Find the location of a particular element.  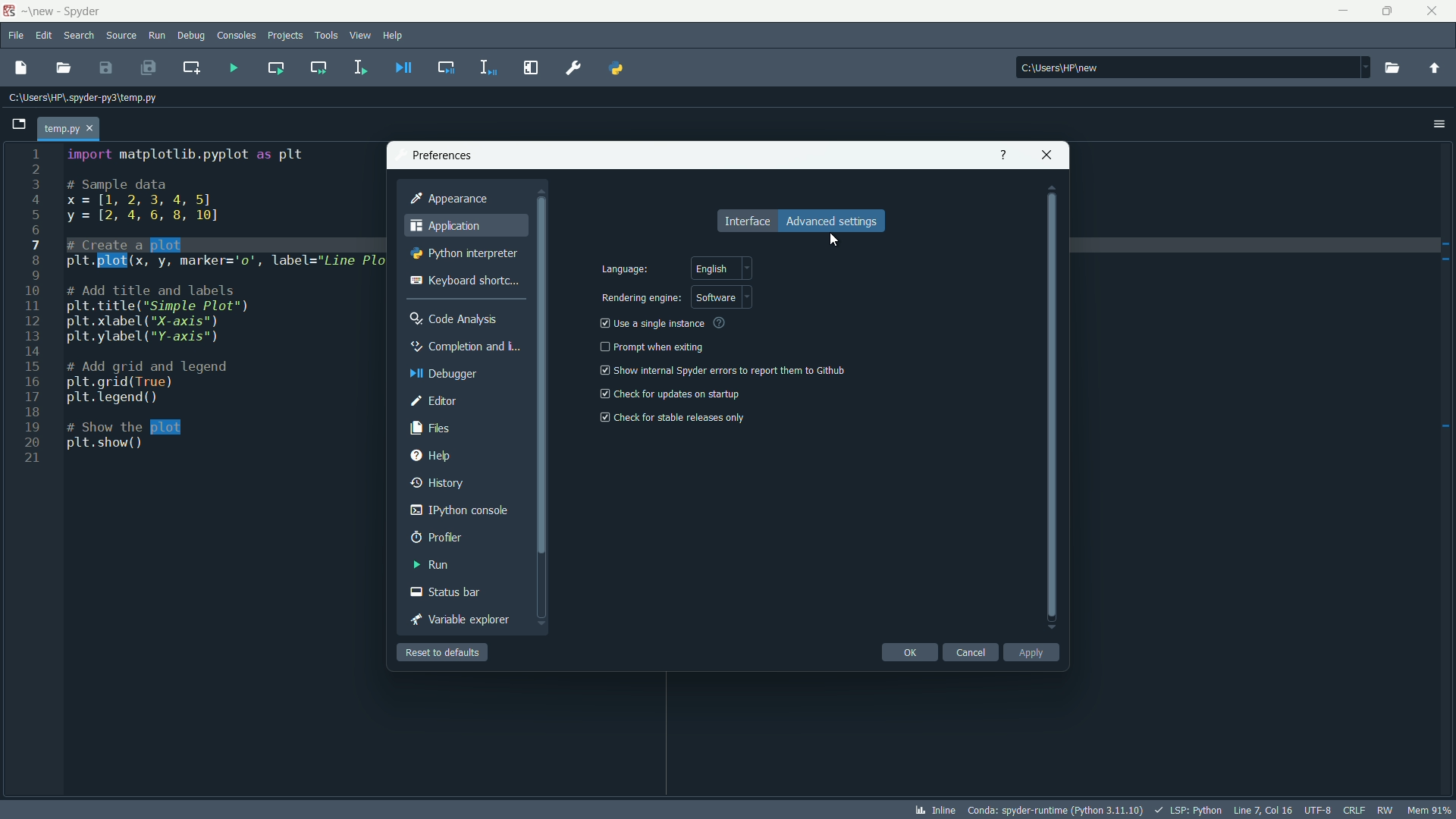

checkbox is located at coordinates (602, 370).